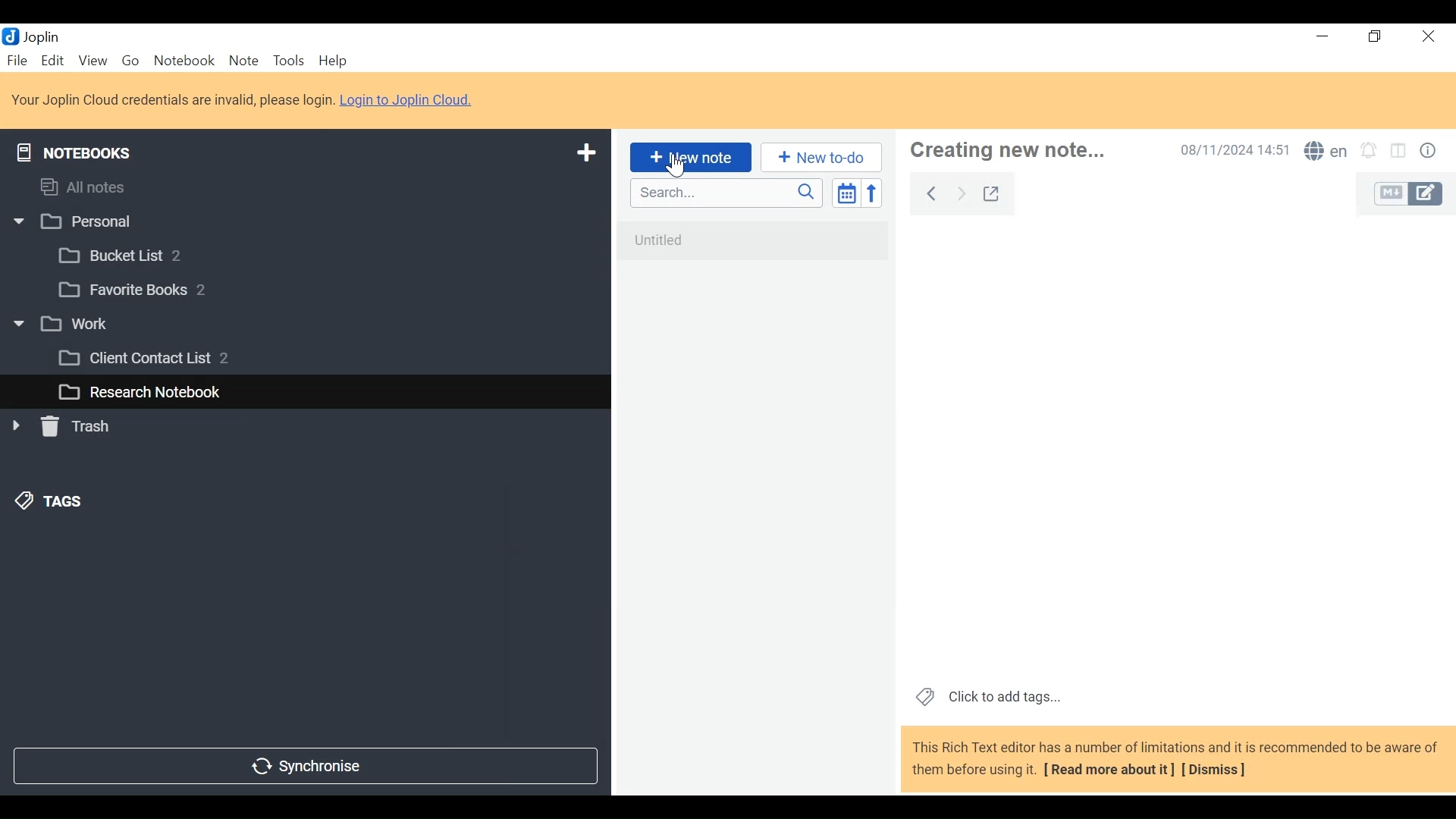  What do you see at coordinates (991, 191) in the screenshot?
I see `Toggle external editing` at bounding box center [991, 191].